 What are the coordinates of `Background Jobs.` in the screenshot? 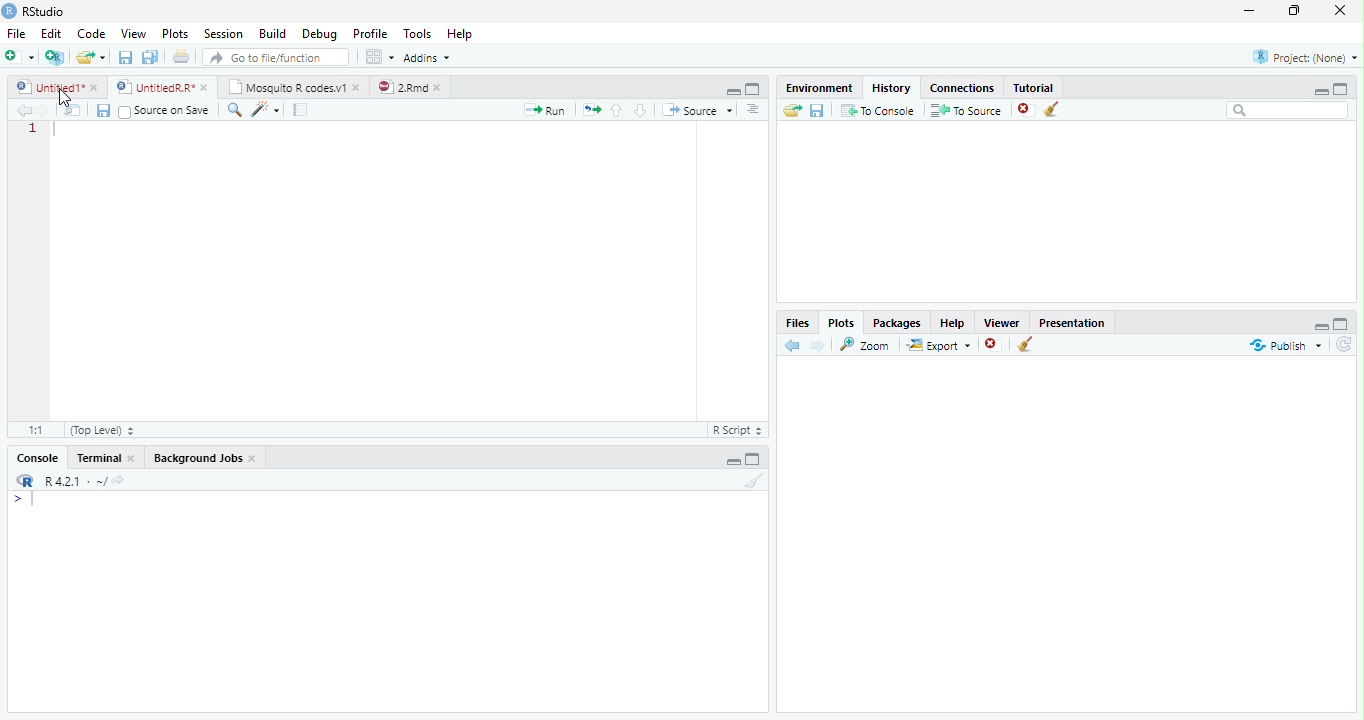 It's located at (206, 457).